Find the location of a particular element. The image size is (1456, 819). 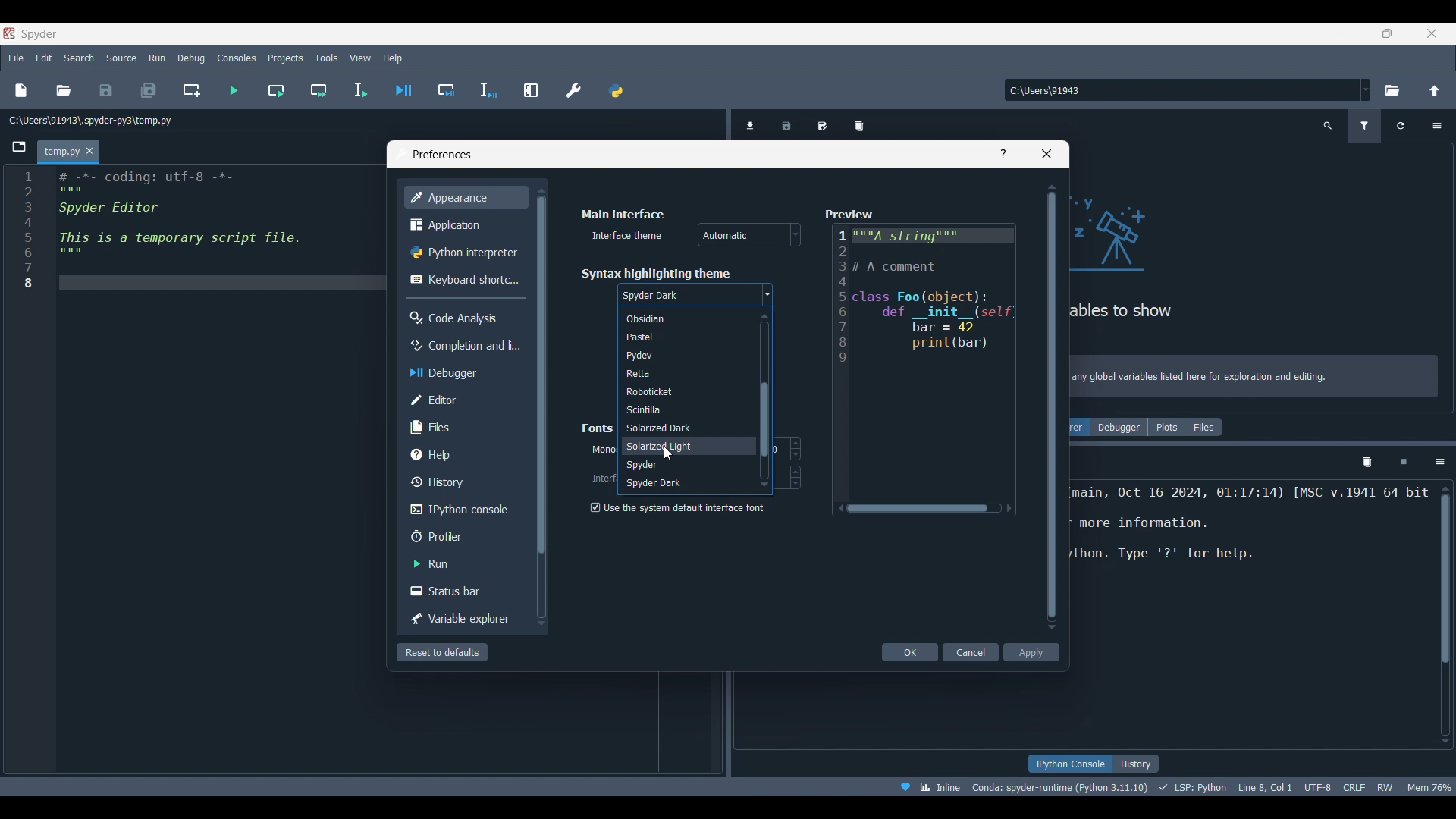

Change to parent directory is located at coordinates (1435, 90).